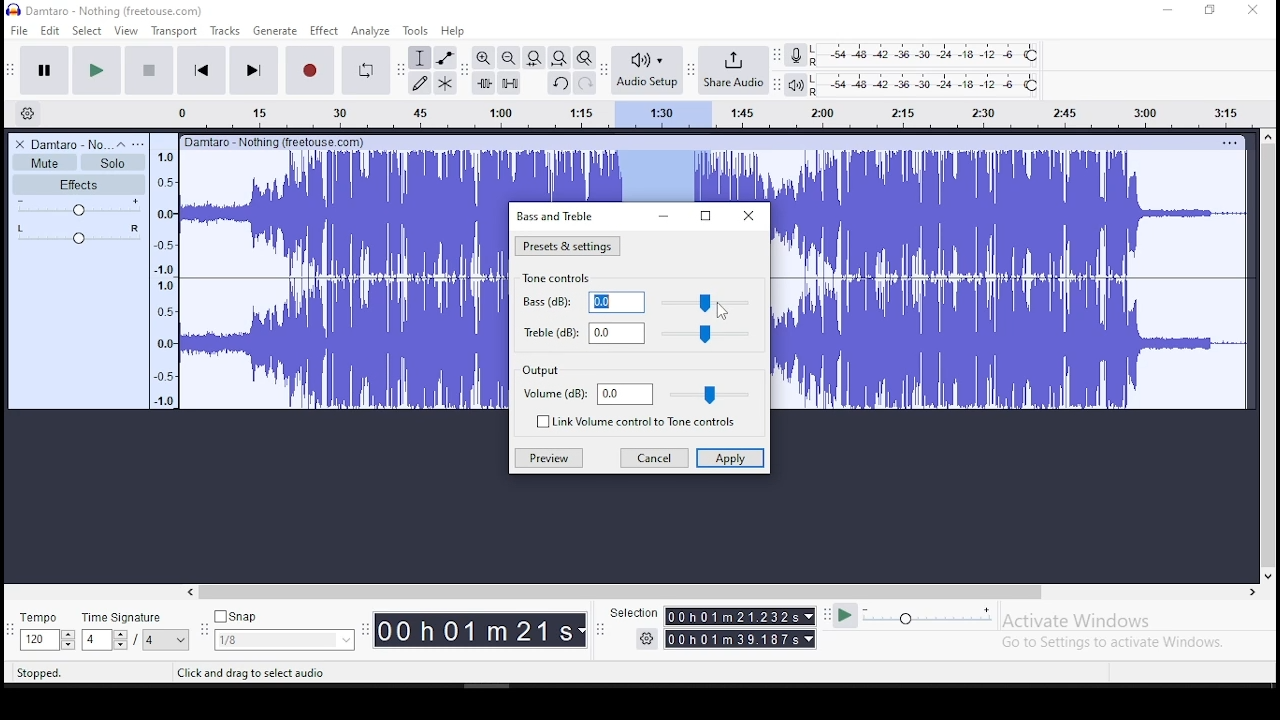  Describe the element at coordinates (1271, 353) in the screenshot. I see `vertical scroll bar` at that location.